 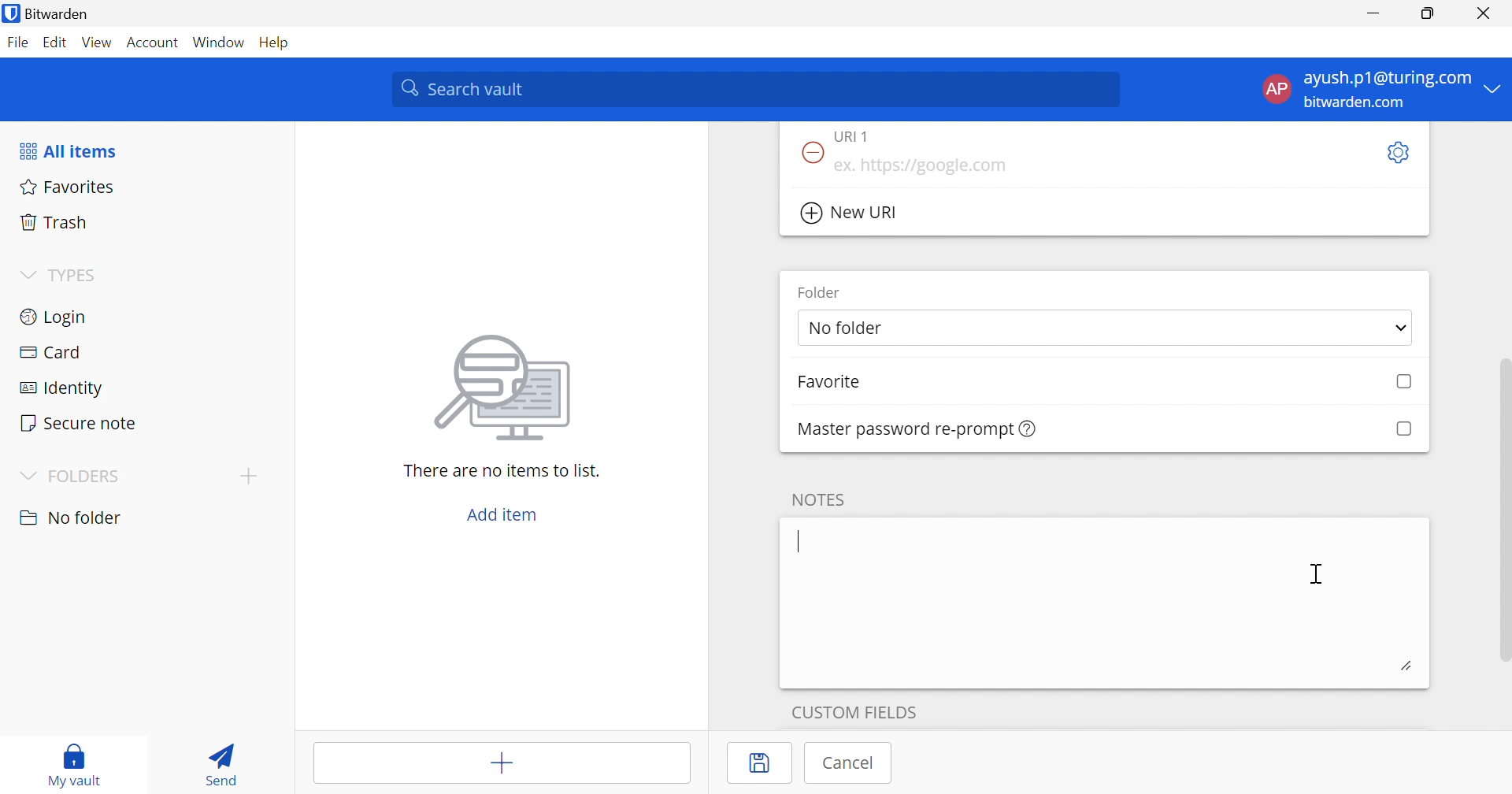 What do you see at coordinates (920, 166) in the screenshot?
I see `ex. https://google.com` at bounding box center [920, 166].